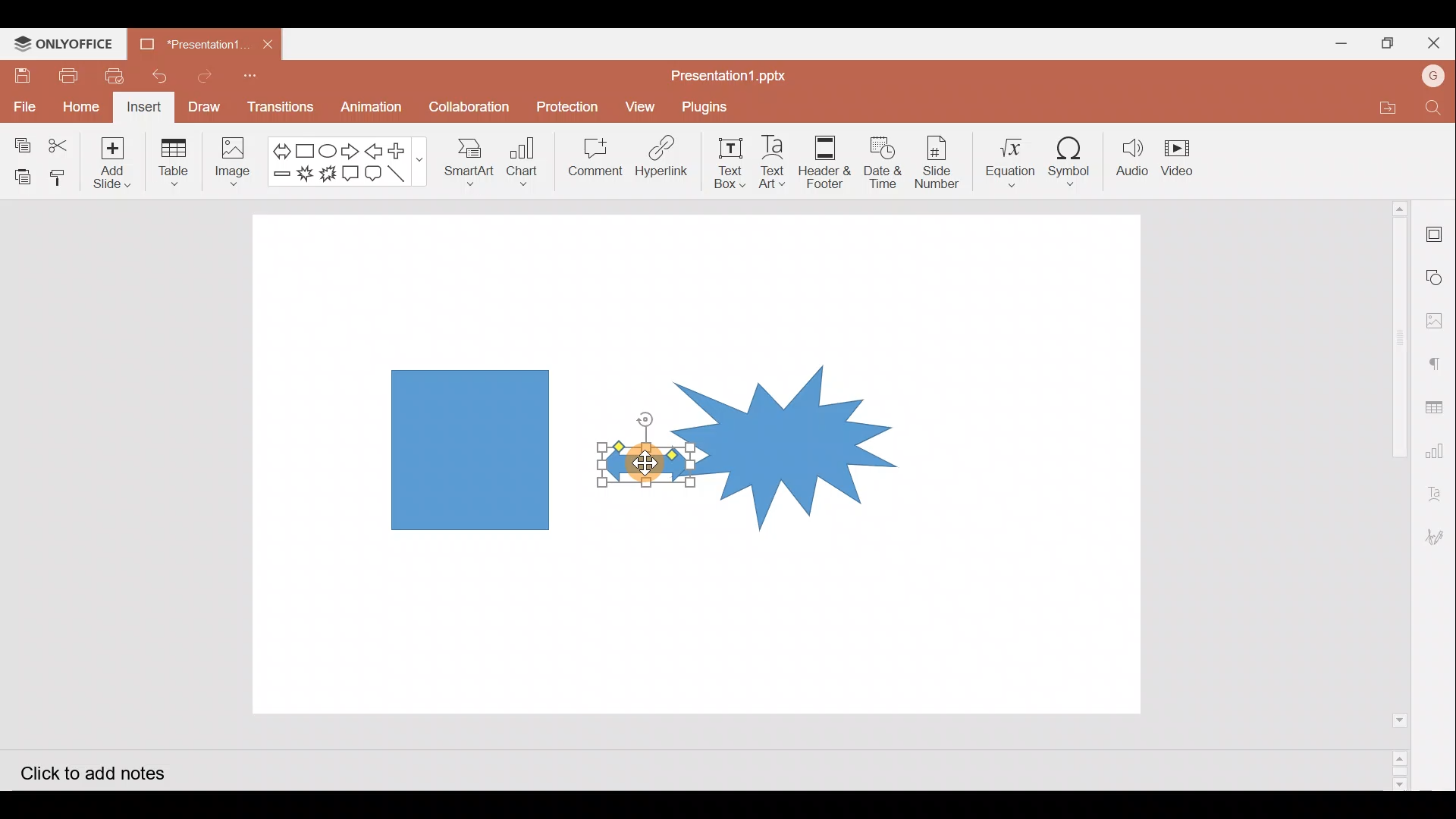 This screenshot has height=819, width=1456. Describe the element at coordinates (1075, 161) in the screenshot. I see `Symbol` at that location.